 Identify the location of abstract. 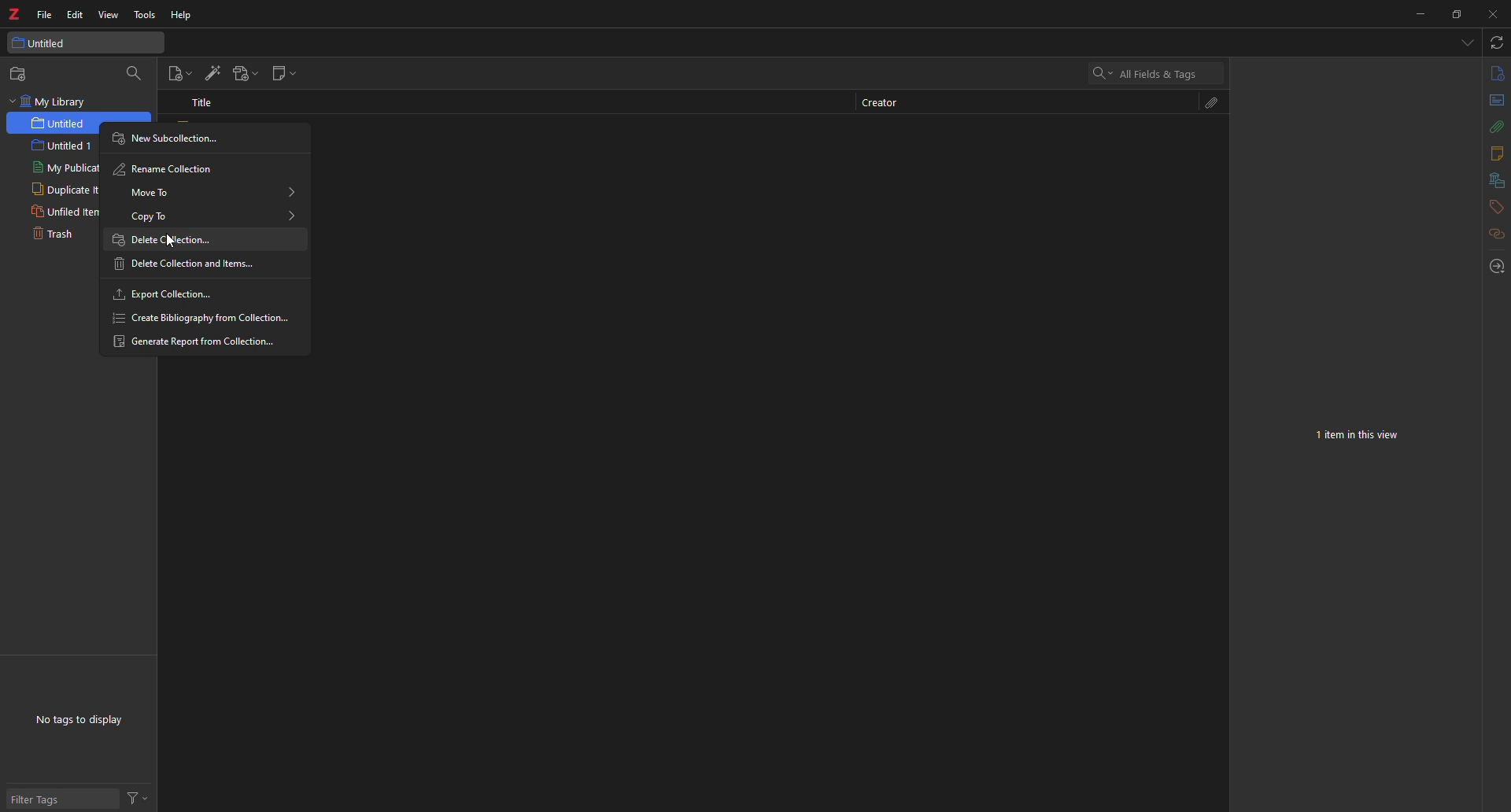
(1495, 101).